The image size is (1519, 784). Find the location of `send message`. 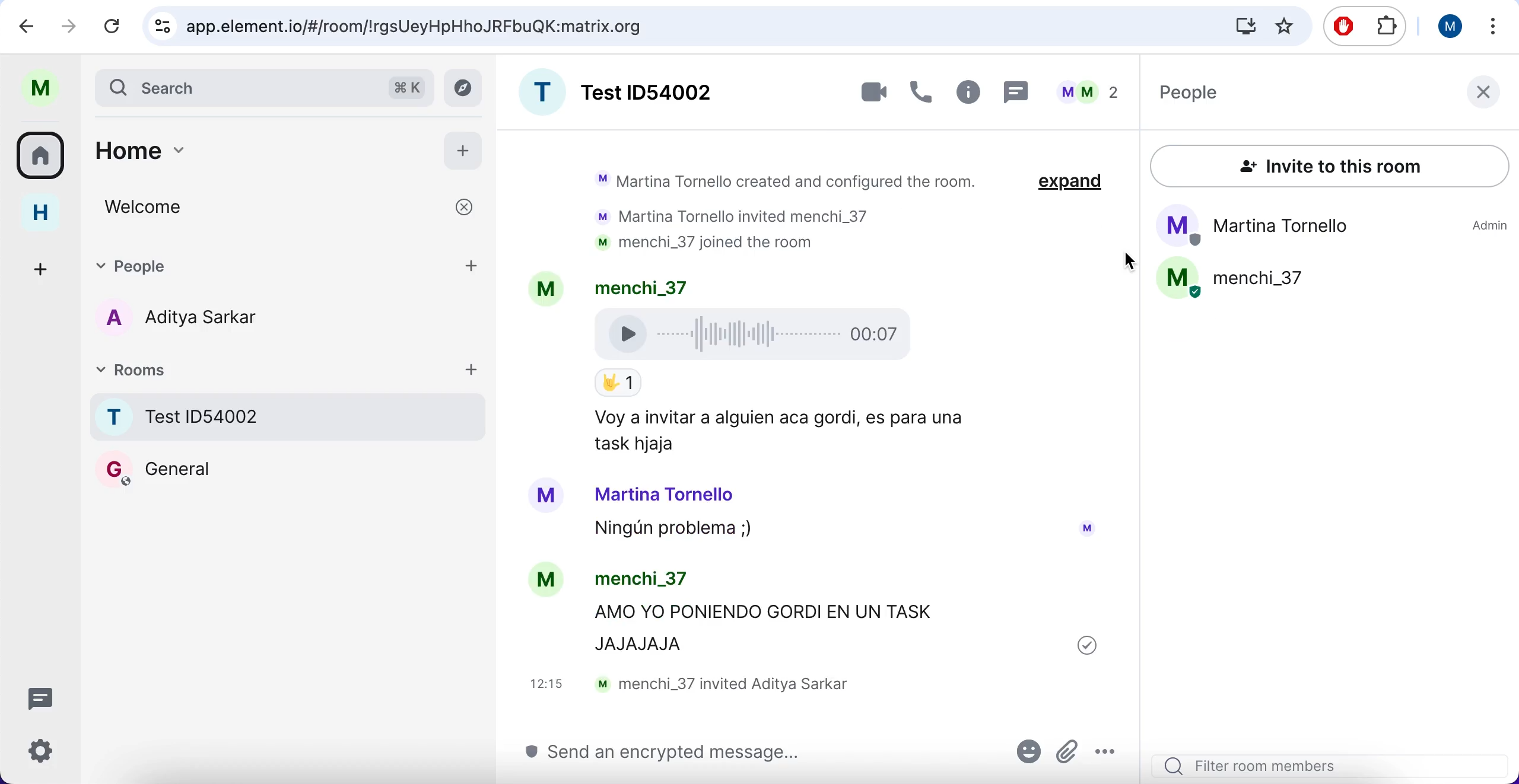

send message is located at coordinates (703, 755).